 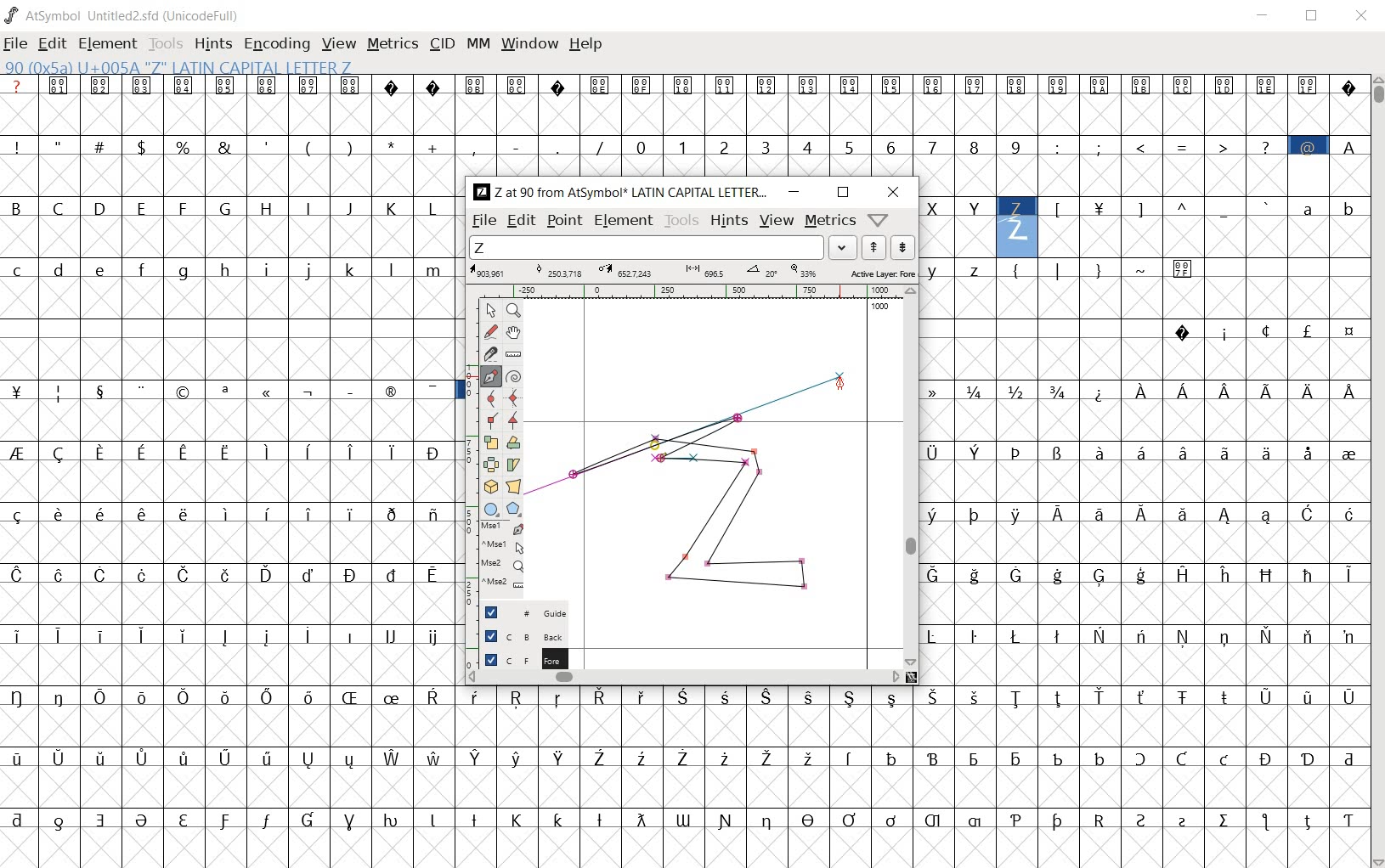 I want to click on help/window, so click(x=879, y=220).